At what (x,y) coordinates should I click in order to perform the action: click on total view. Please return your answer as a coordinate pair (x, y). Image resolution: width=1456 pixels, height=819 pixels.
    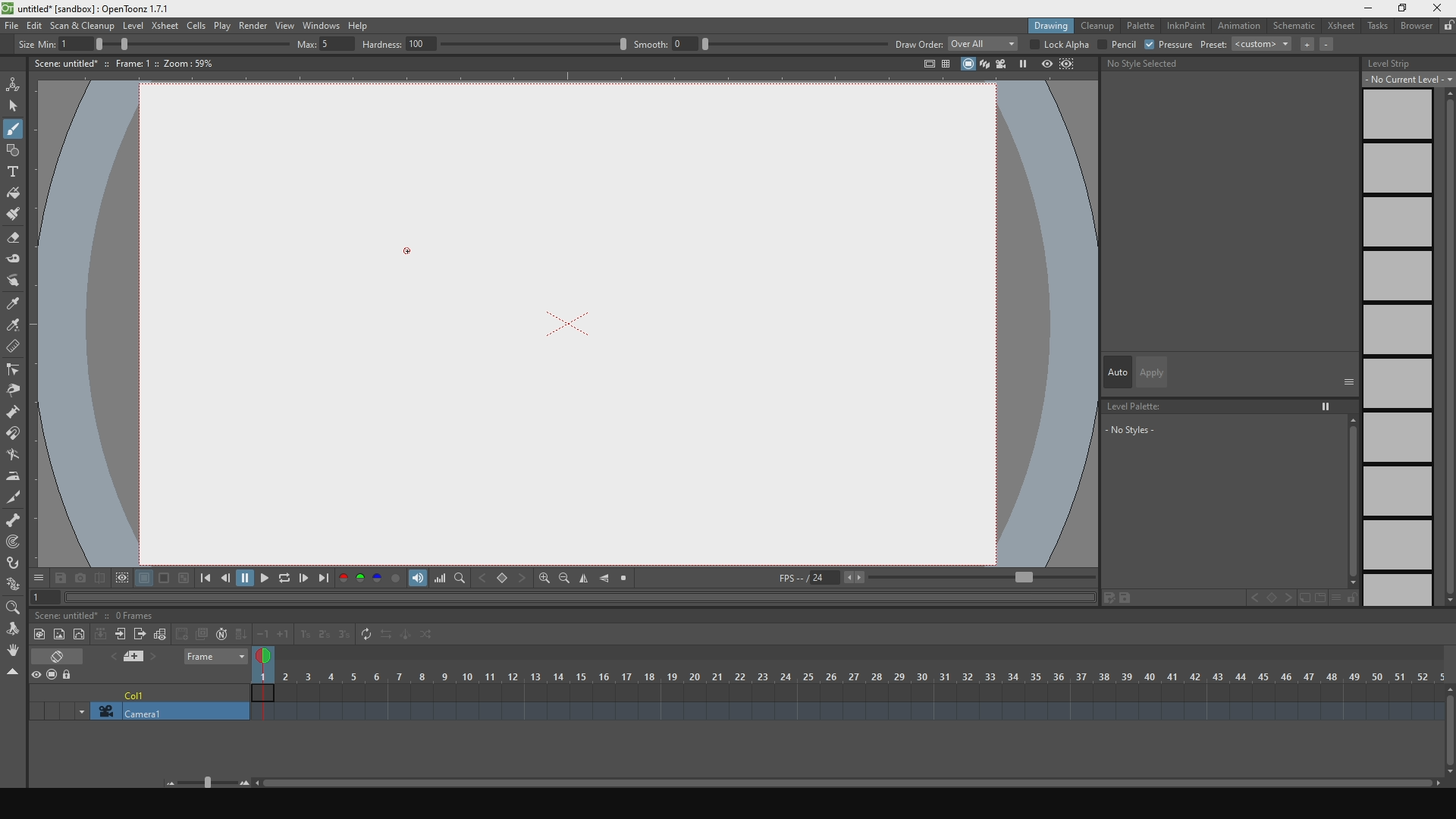
    Looking at the image, I should click on (918, 65).